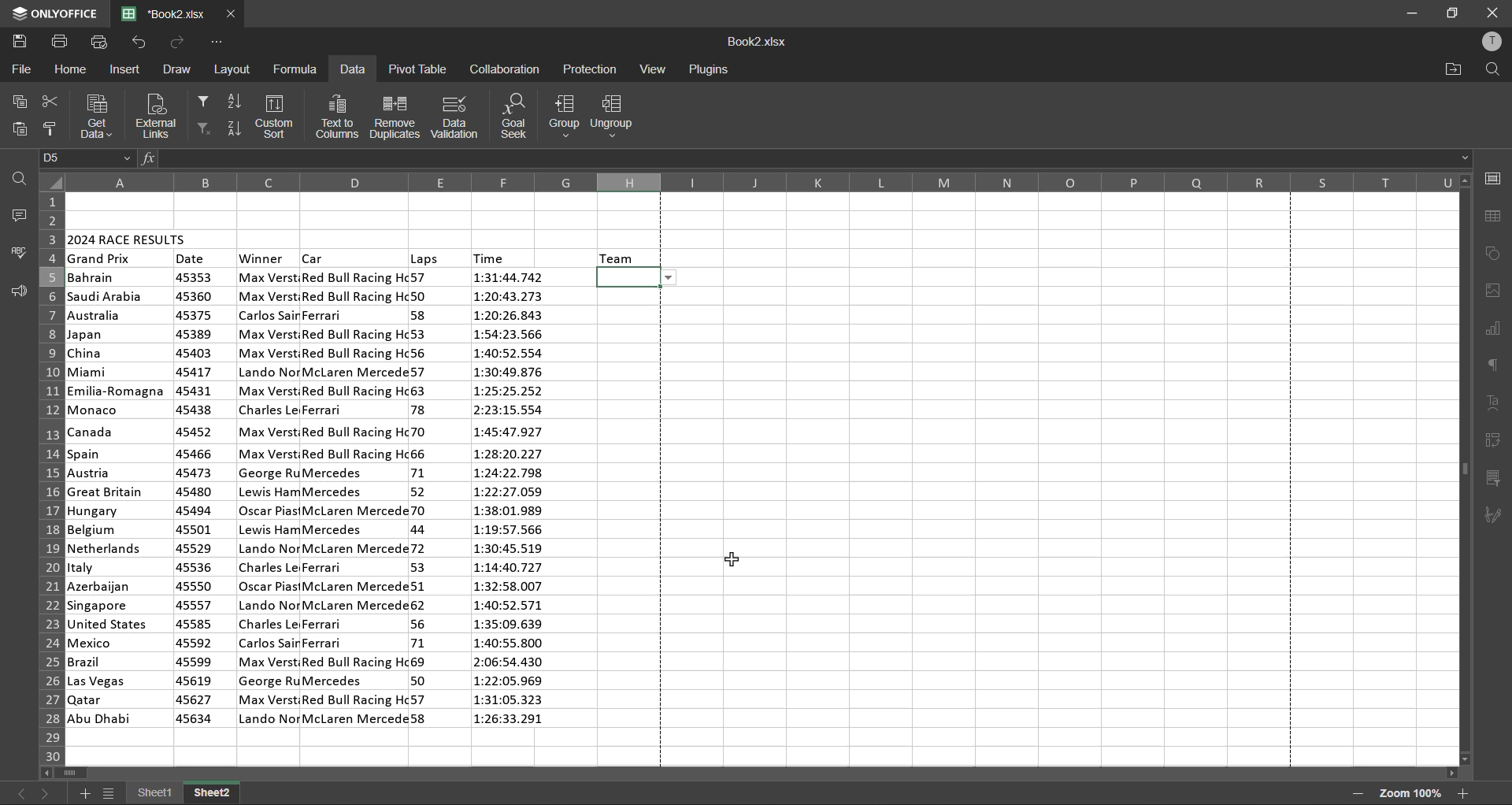 Image resolution: width=1512 pixels, height=805 pixels. I want to click on scrollbar, so click(1465, 469).